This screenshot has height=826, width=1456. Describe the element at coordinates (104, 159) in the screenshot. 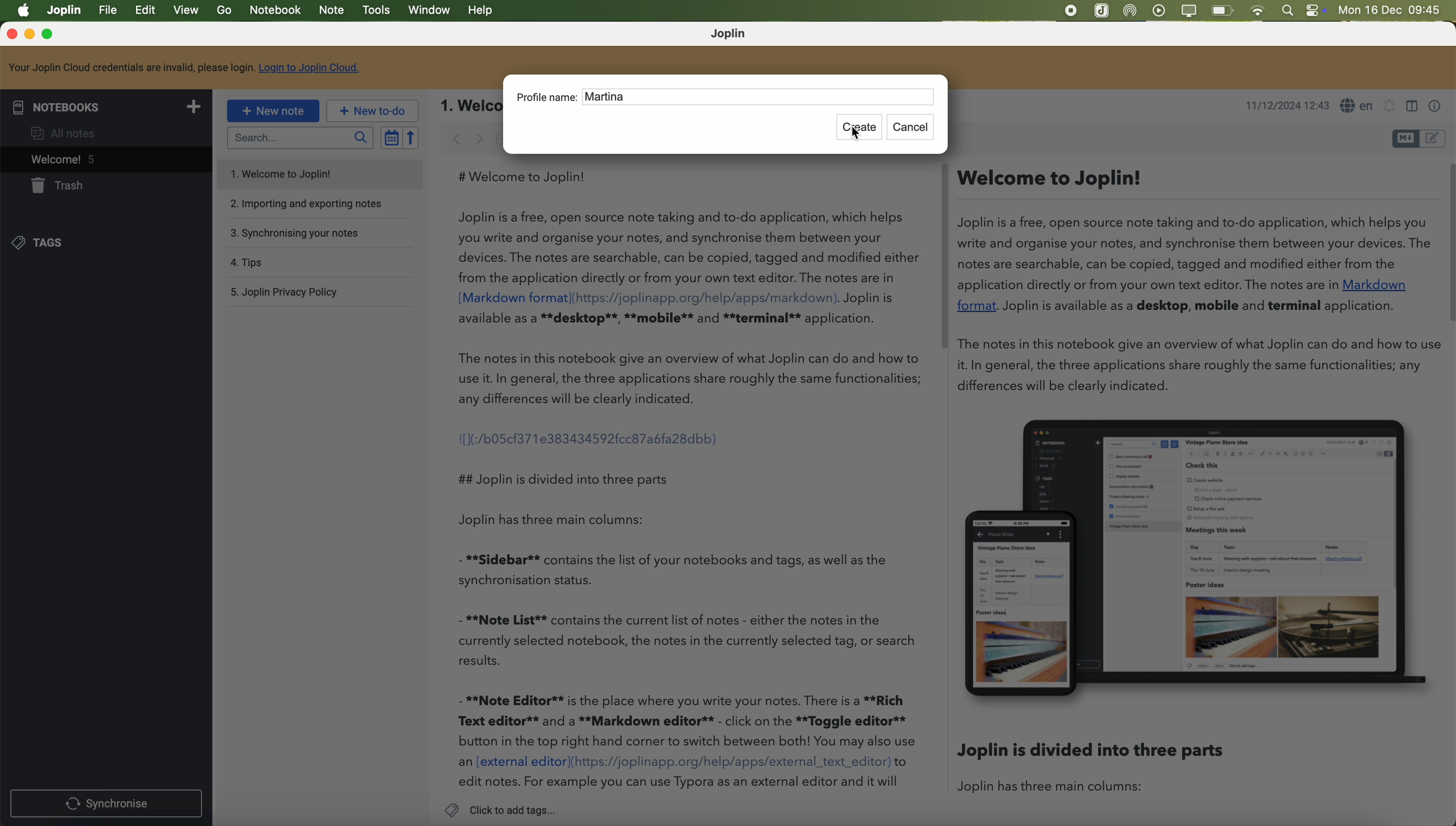

I see `welcome` at that location.